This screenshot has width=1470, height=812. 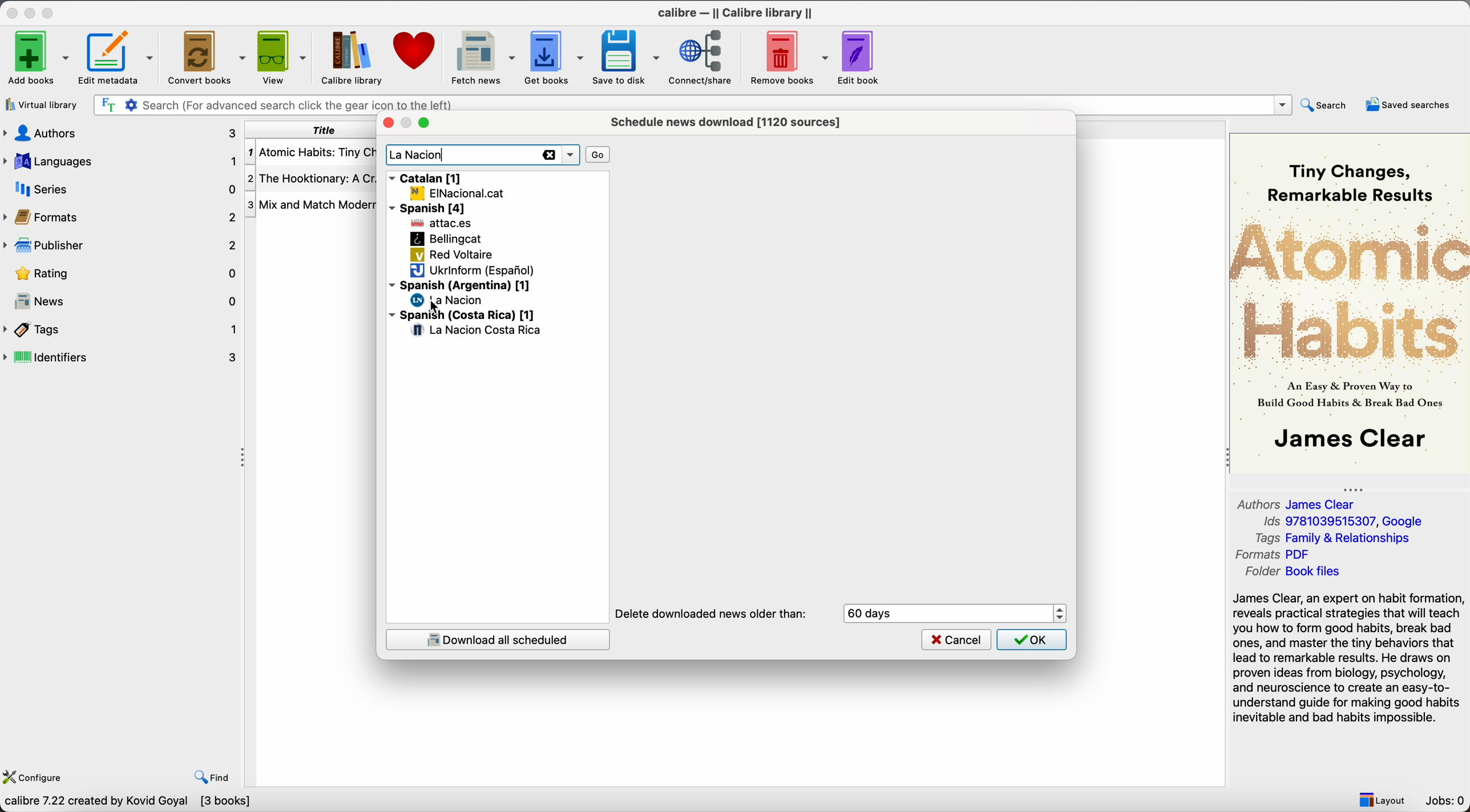 I want to click on download scheduled, so click(x=497, y=639).